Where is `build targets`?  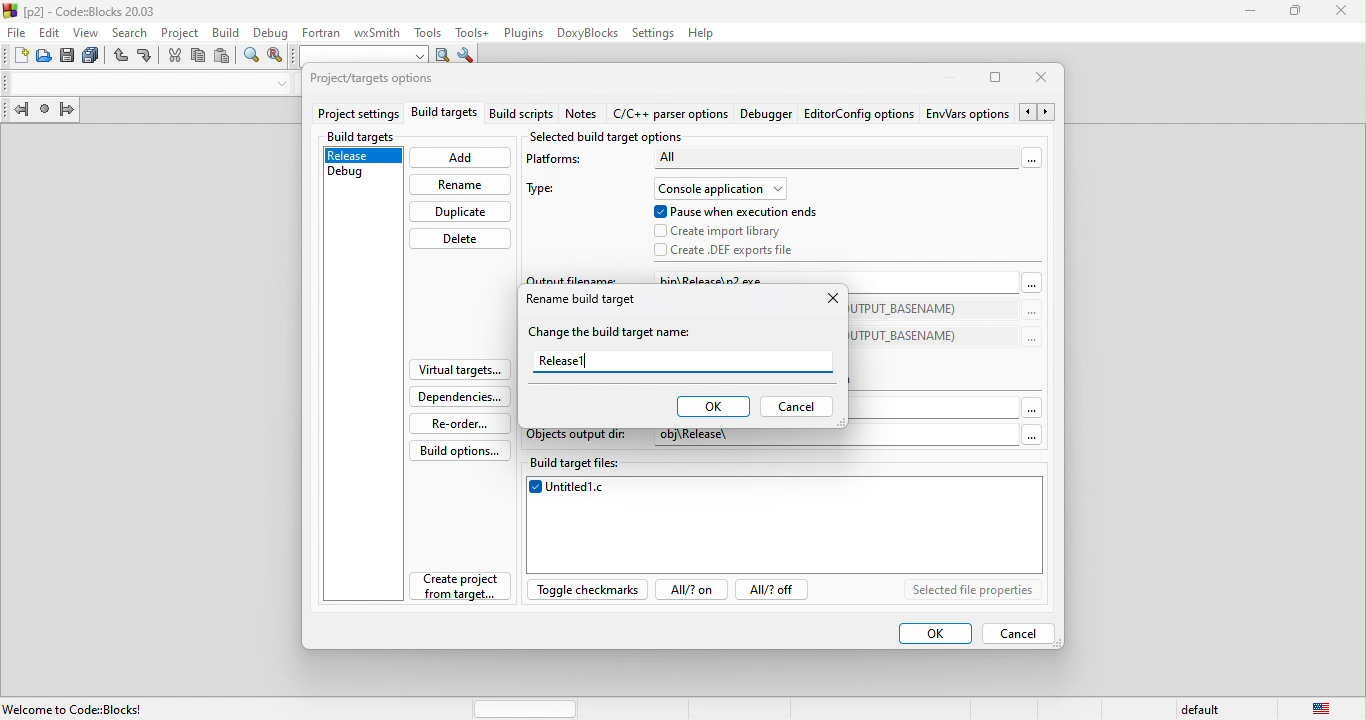
build targets is located at coordinates (446, 115).